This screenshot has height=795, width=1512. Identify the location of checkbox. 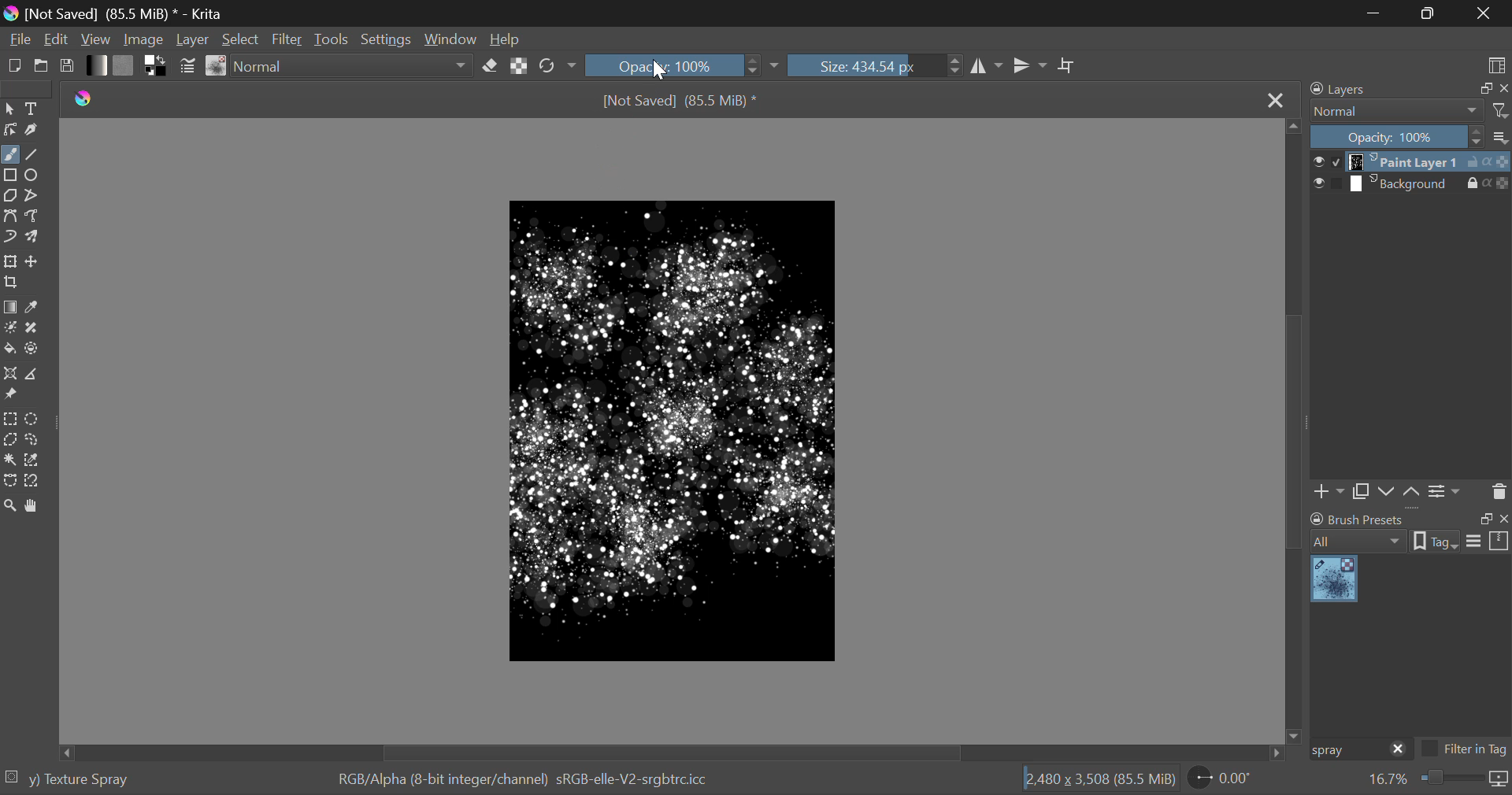
(1326, 161).